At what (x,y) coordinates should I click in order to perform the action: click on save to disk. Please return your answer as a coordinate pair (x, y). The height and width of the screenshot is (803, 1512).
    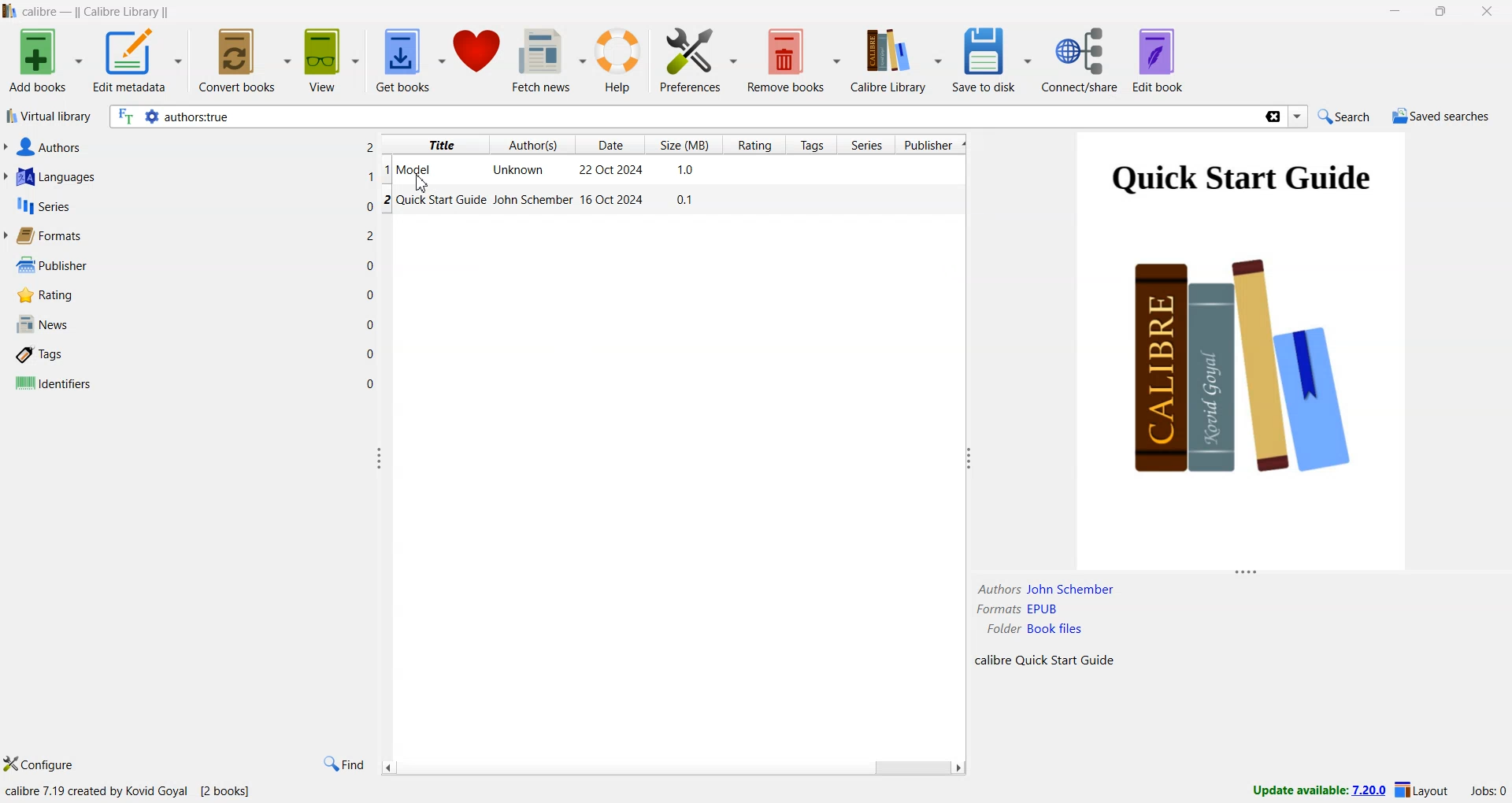
    Looking at the image, I should click on (991, 61).